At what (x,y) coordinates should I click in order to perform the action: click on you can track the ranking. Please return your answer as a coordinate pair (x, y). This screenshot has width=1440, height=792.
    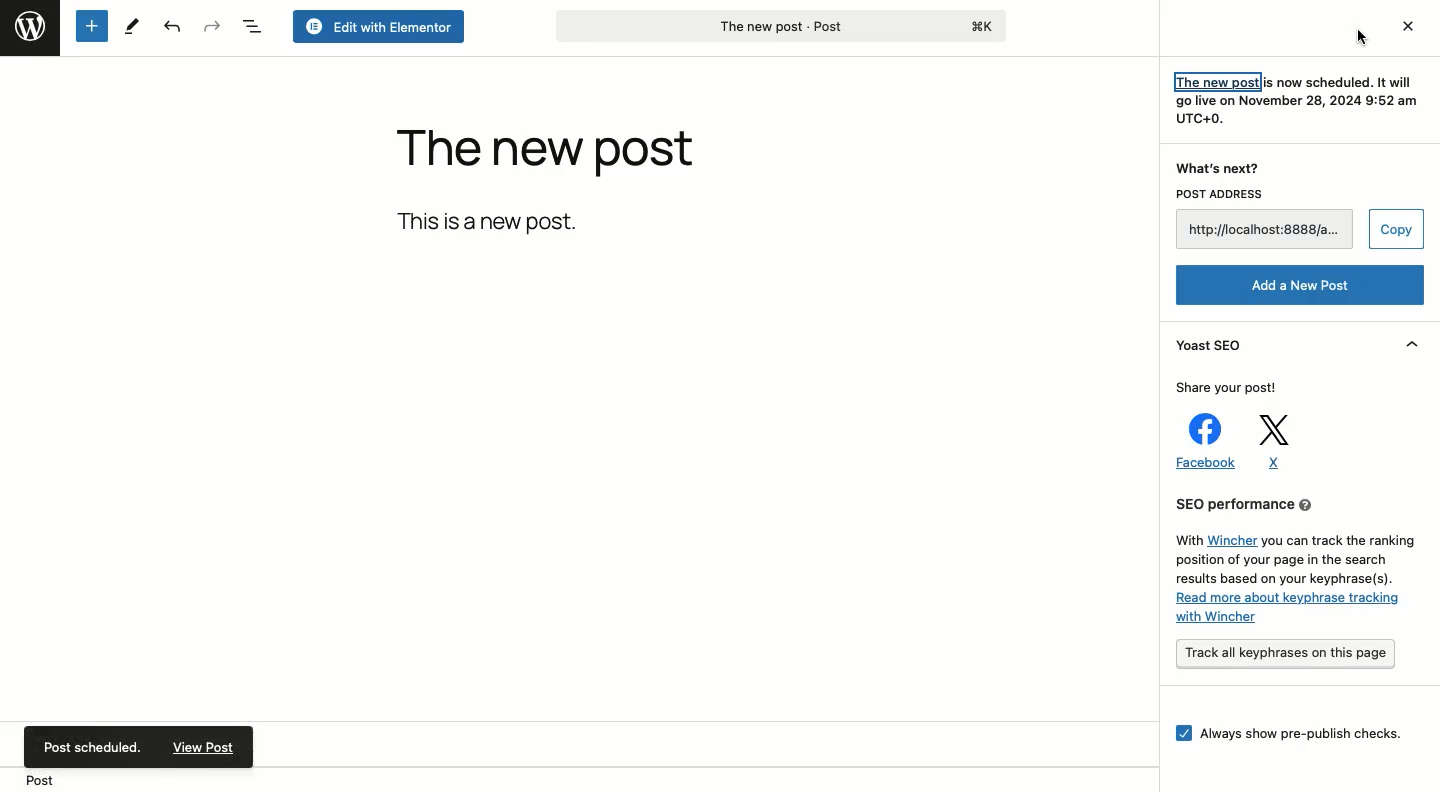
    Looking at the image, I should click on (1340, 541).